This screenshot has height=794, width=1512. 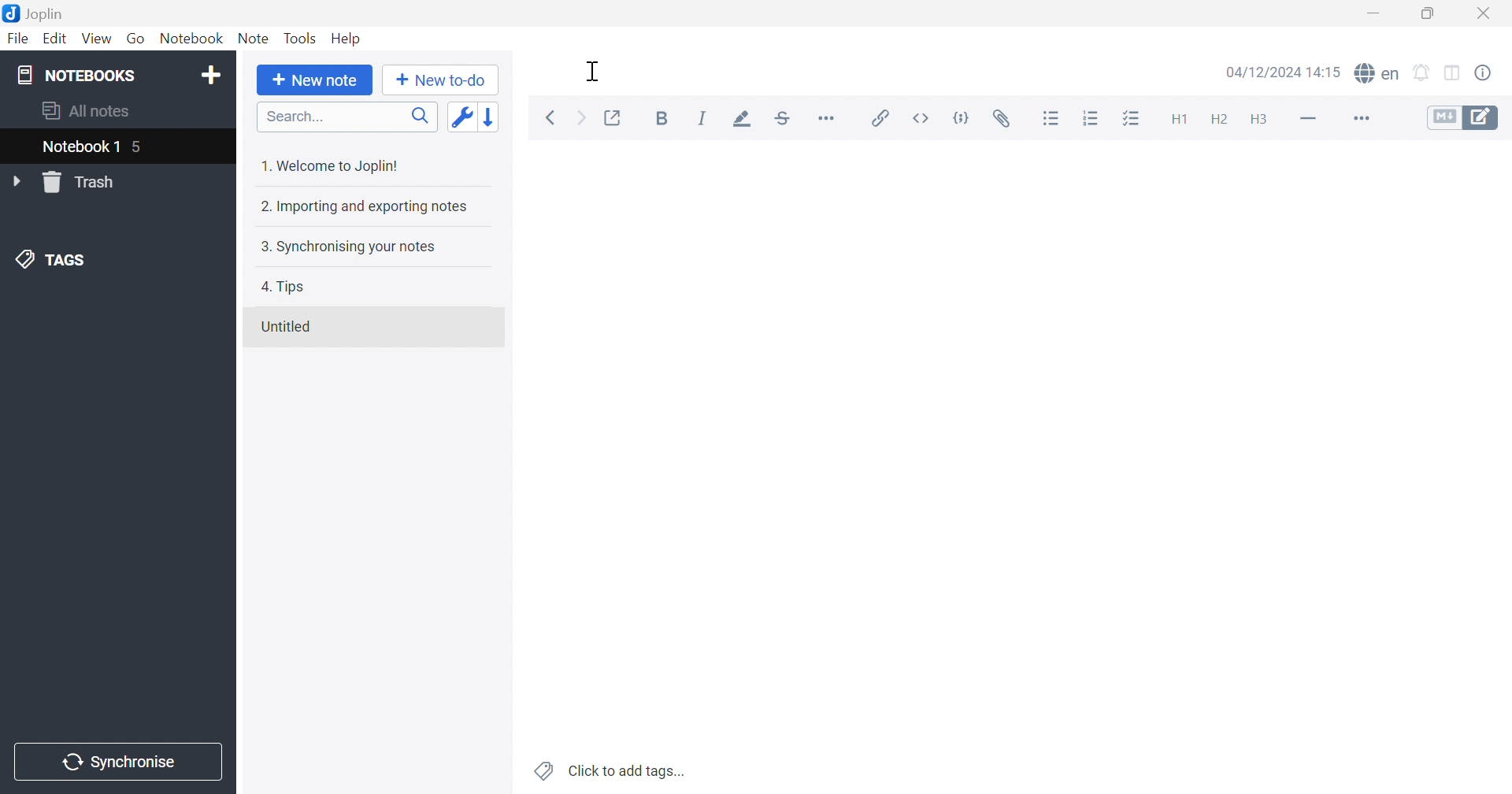 What do you see at coordinates (1130, 120) in the screenshot?
I see `Checkbox list` at bounding box center [1130, 120].